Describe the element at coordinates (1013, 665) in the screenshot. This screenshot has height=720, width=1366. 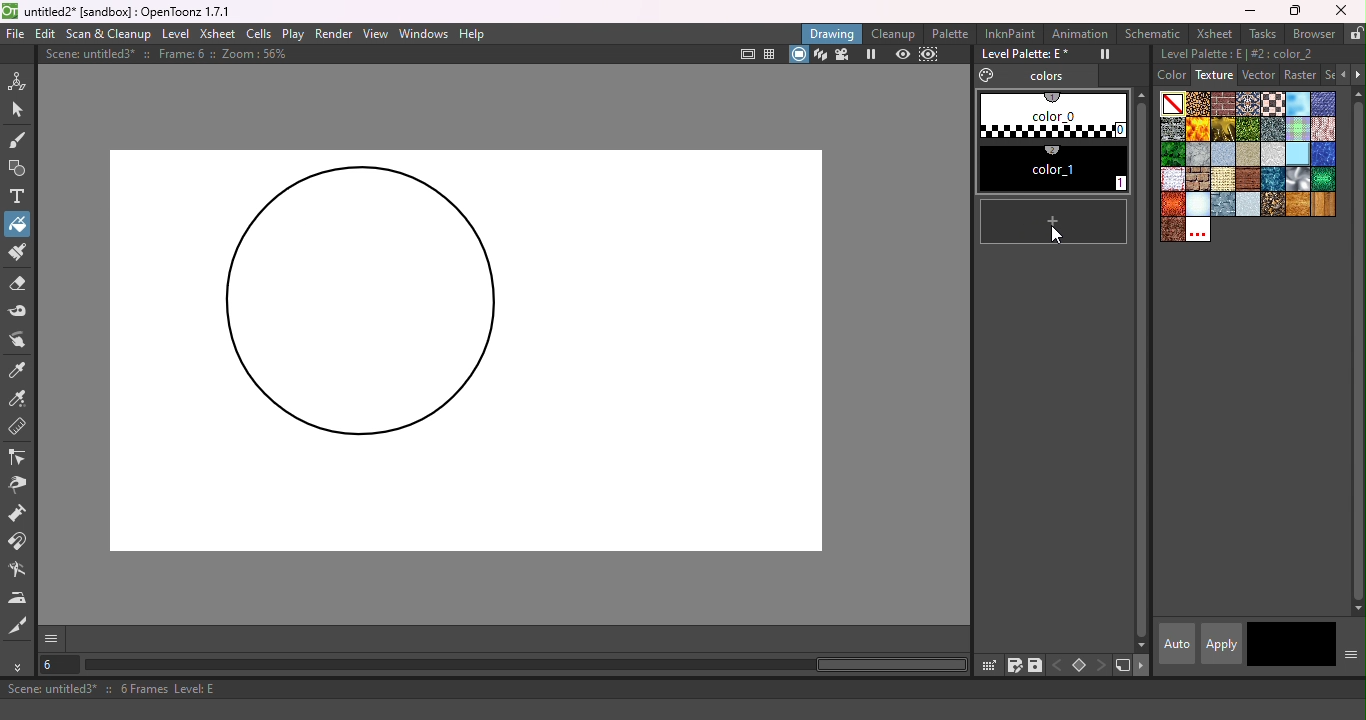
I see `save palette as` at that location.